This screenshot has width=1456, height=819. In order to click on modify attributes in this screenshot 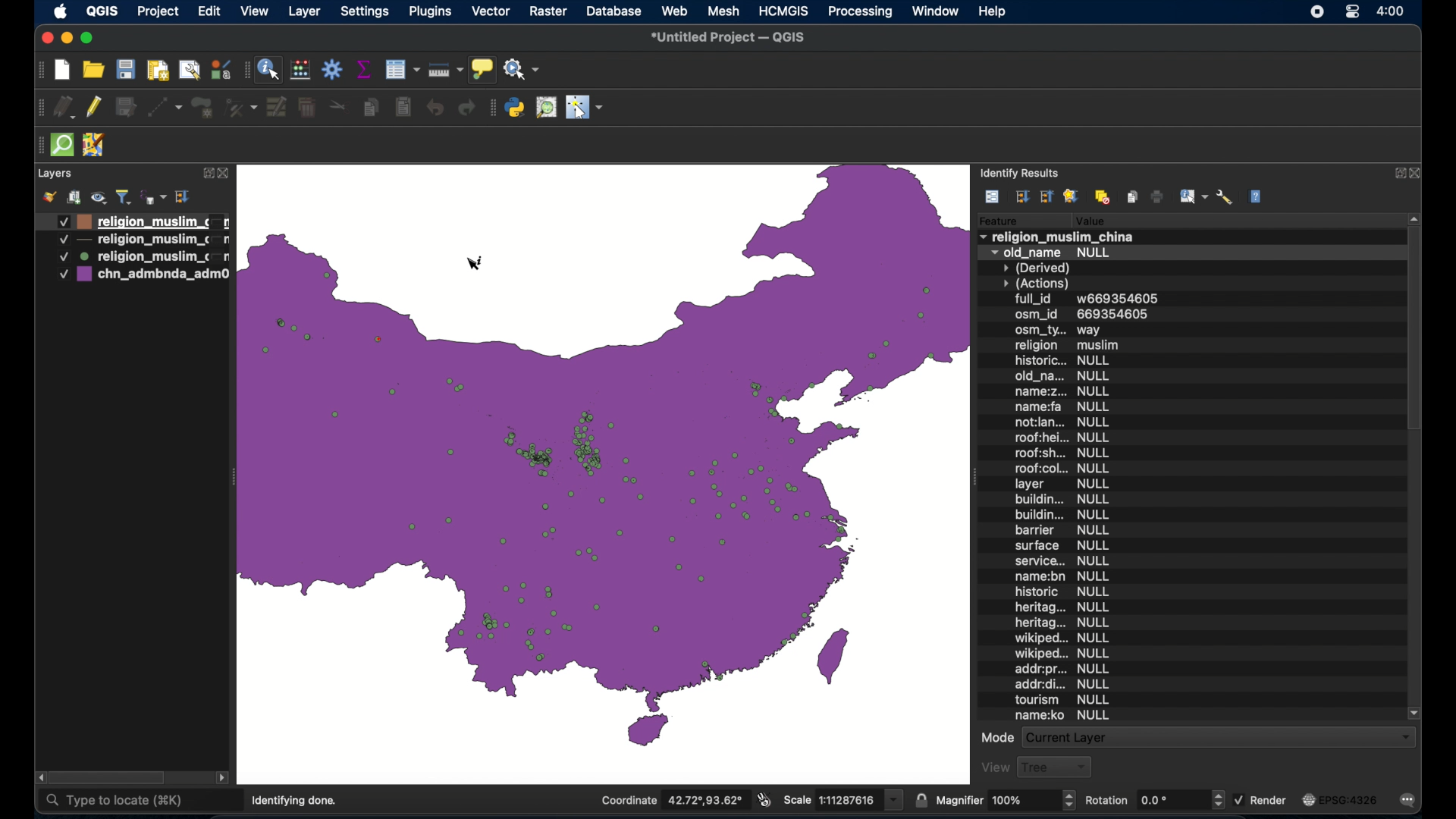, I will do `click(277, 107)`.